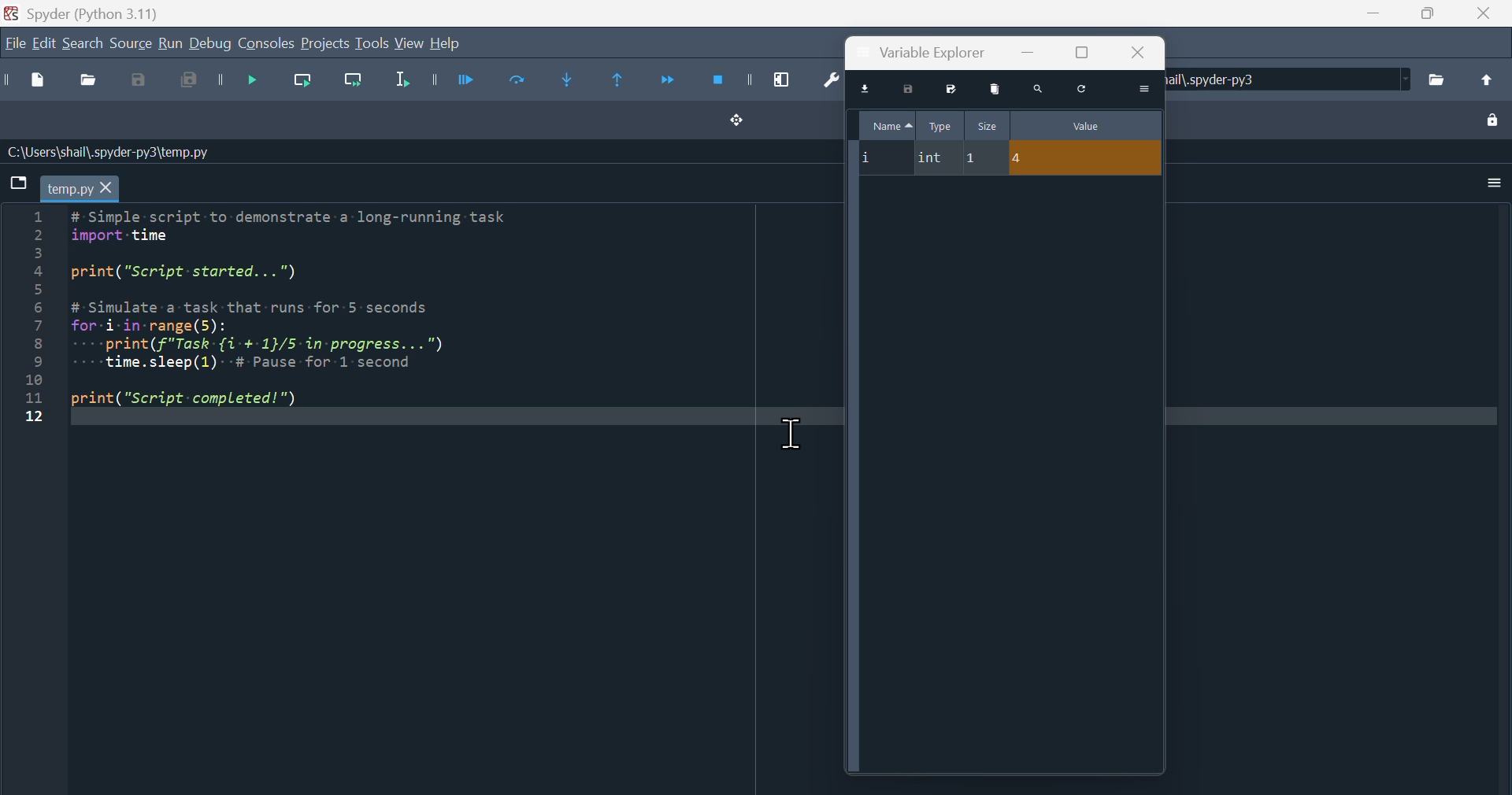  Describe the element at coordinates (1026, 51) in the screenshot. I see `minimize` at that location.